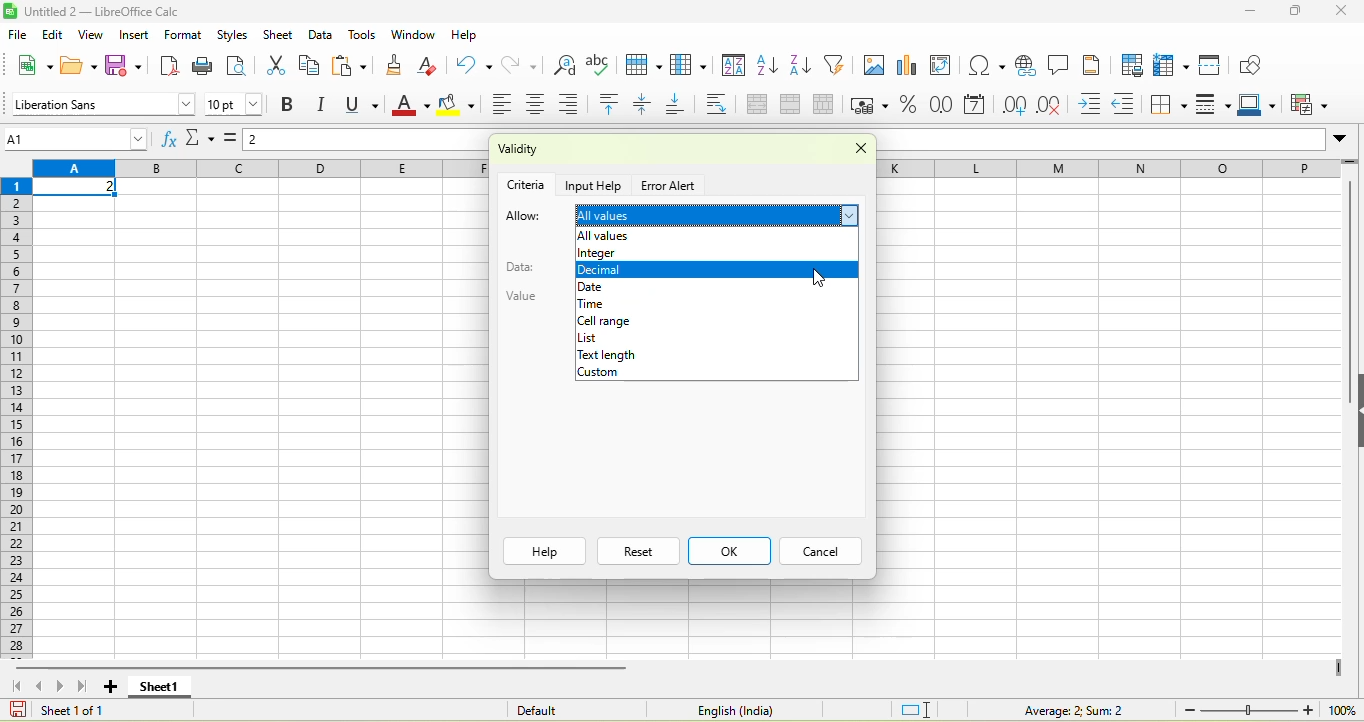 This screenshot has width=1364, height=722. Describe the element at coordinates (94, 35) in the screenshot. I see `view` at that location.